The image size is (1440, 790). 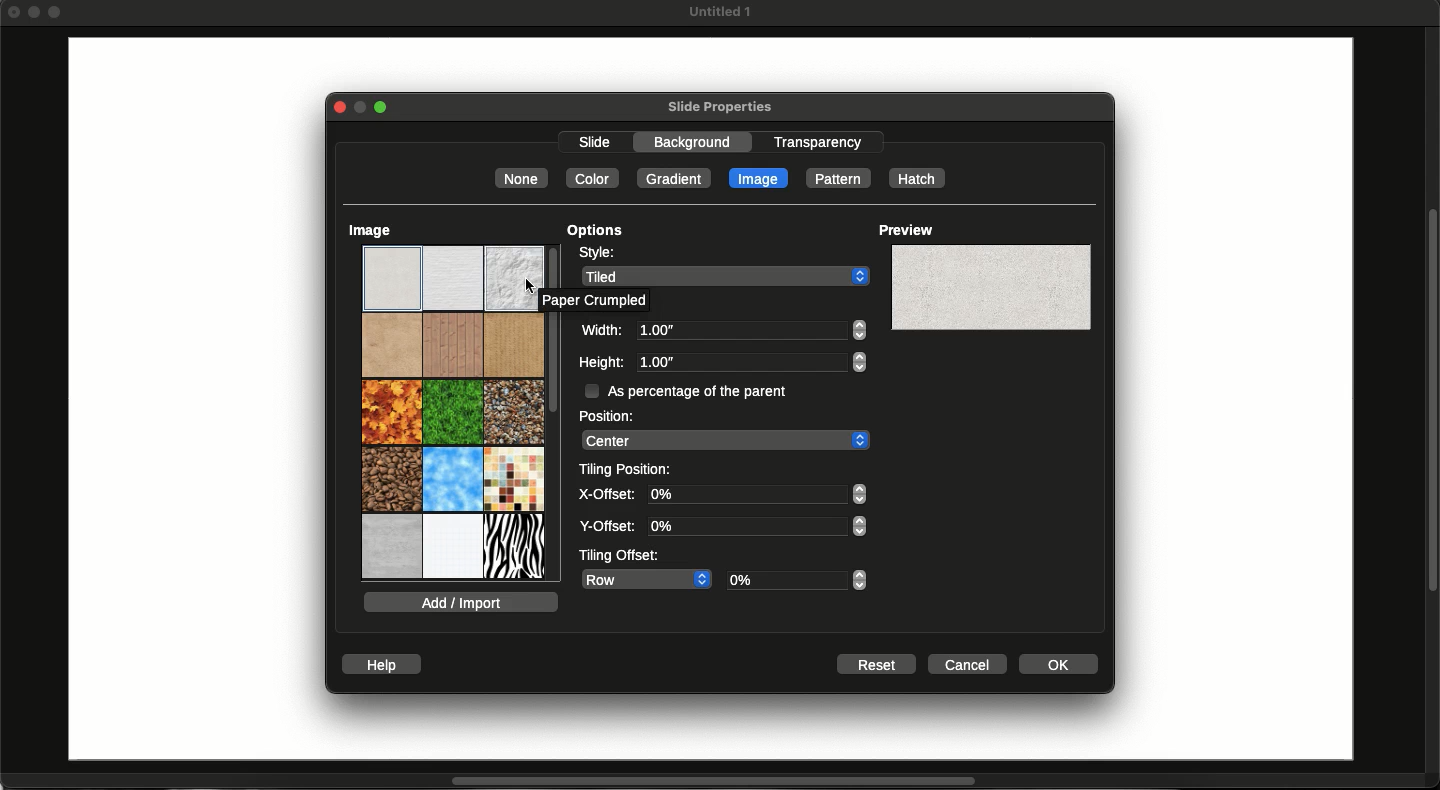 I want to click on Close, so click(x=14, y=11).